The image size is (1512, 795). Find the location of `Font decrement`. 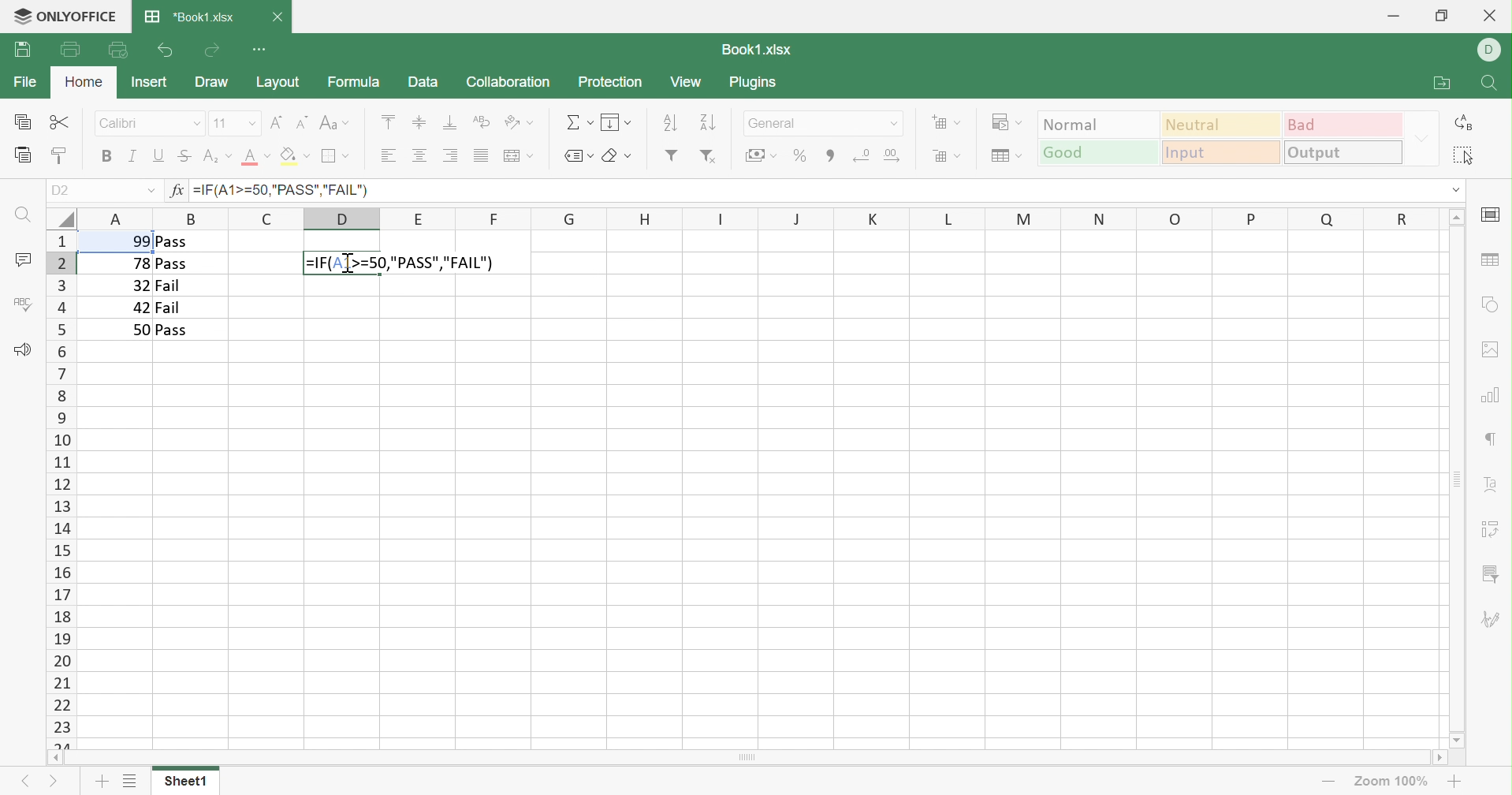

Font decrement is located at coordinates (304, 121).